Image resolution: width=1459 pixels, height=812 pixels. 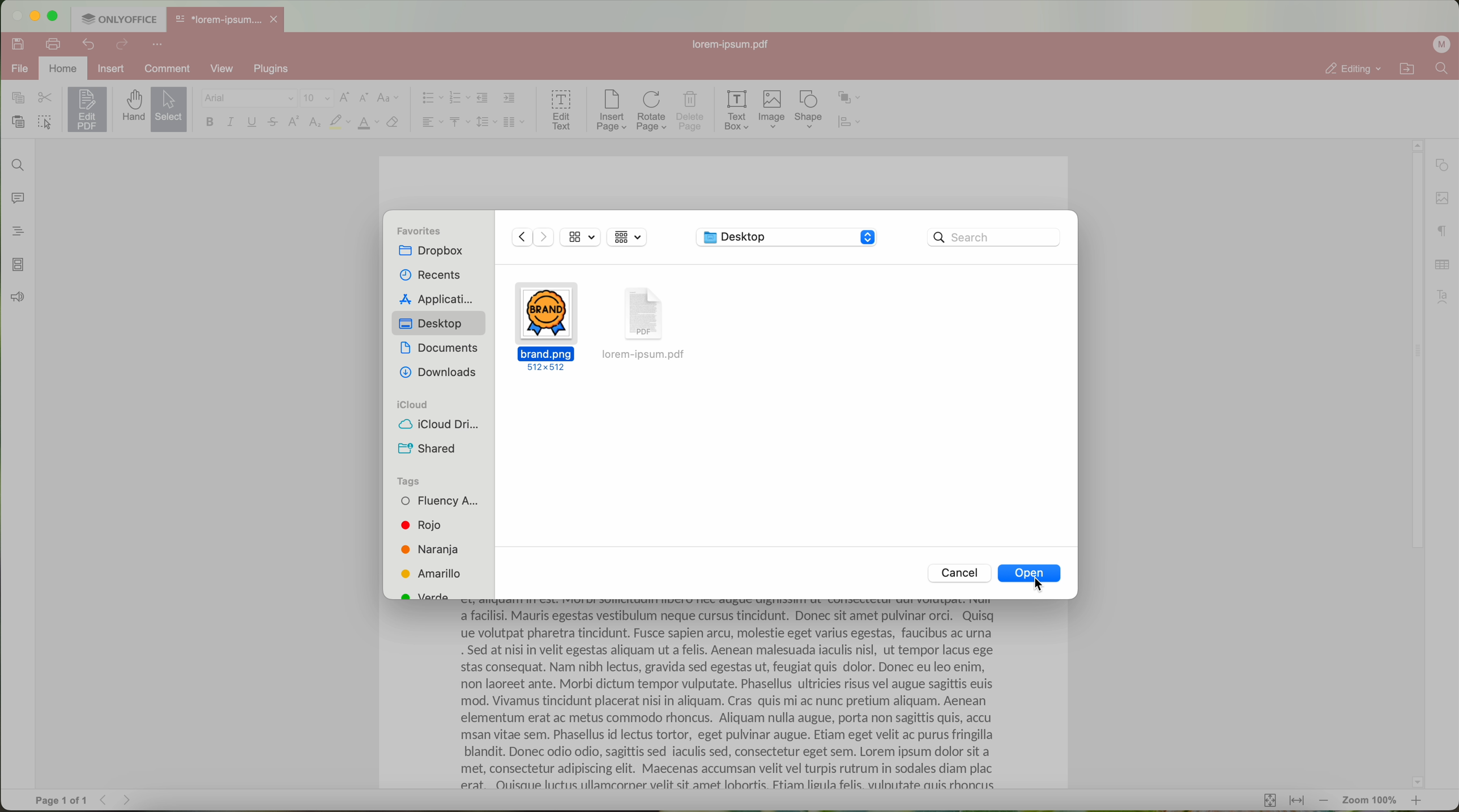 I want to click on feedback & support, so click(x=16, y=299).